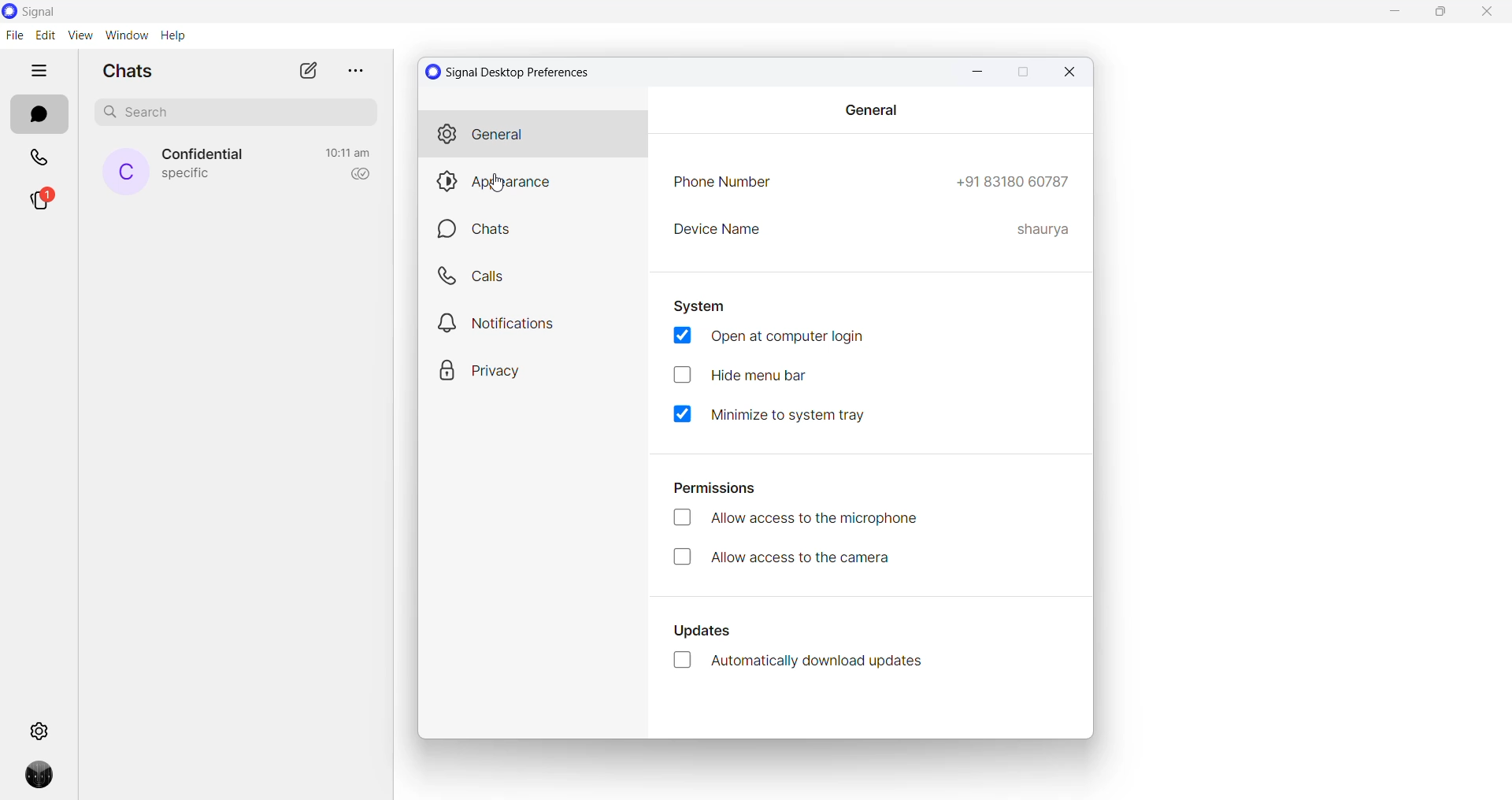 The image size is (1512, 800). I want to click on device name, so click(720, 232).